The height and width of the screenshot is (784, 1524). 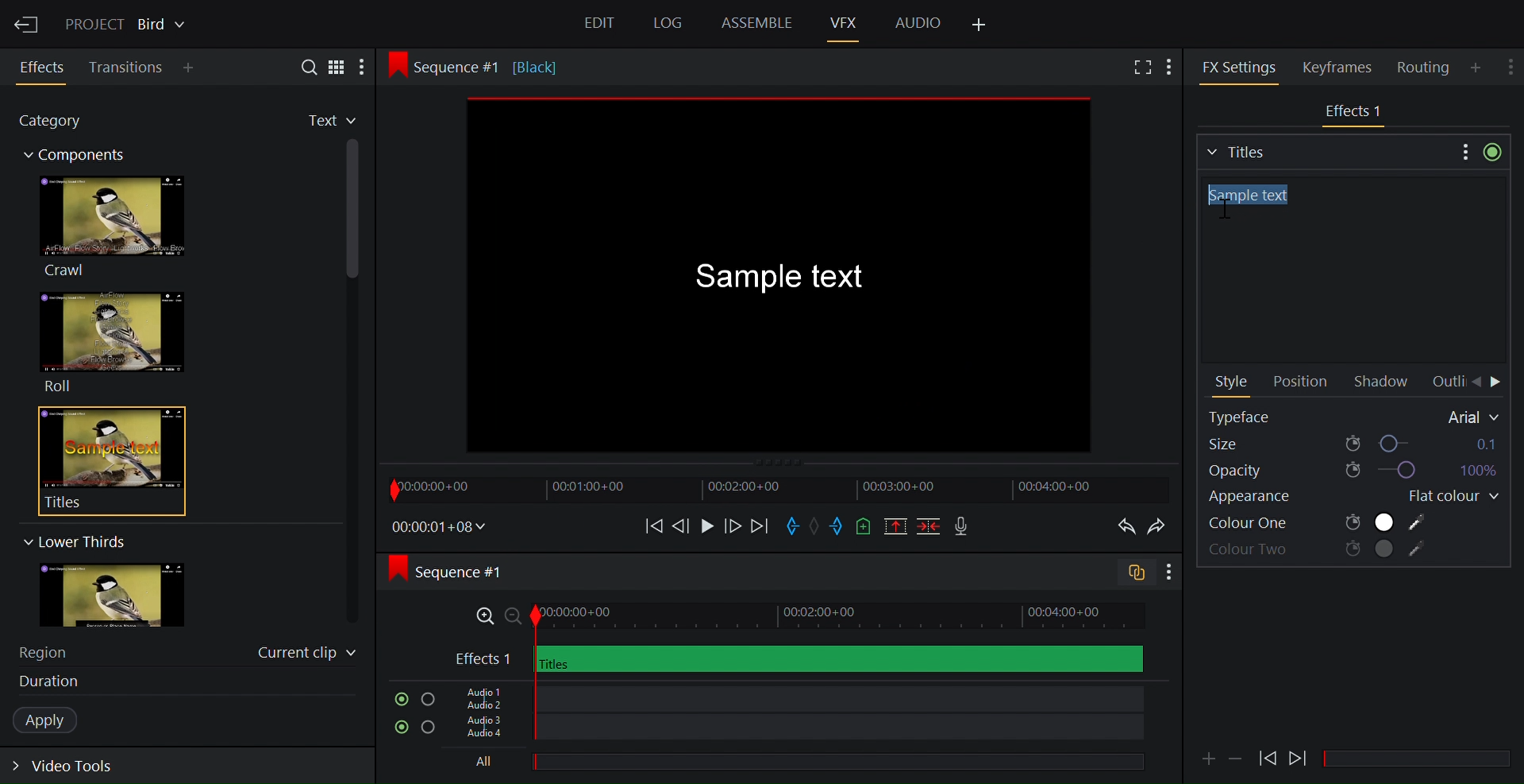 What do you see at coordinates (795, 525) in the screenshot?
I see `Mark in` at bounding box center [795, 525].